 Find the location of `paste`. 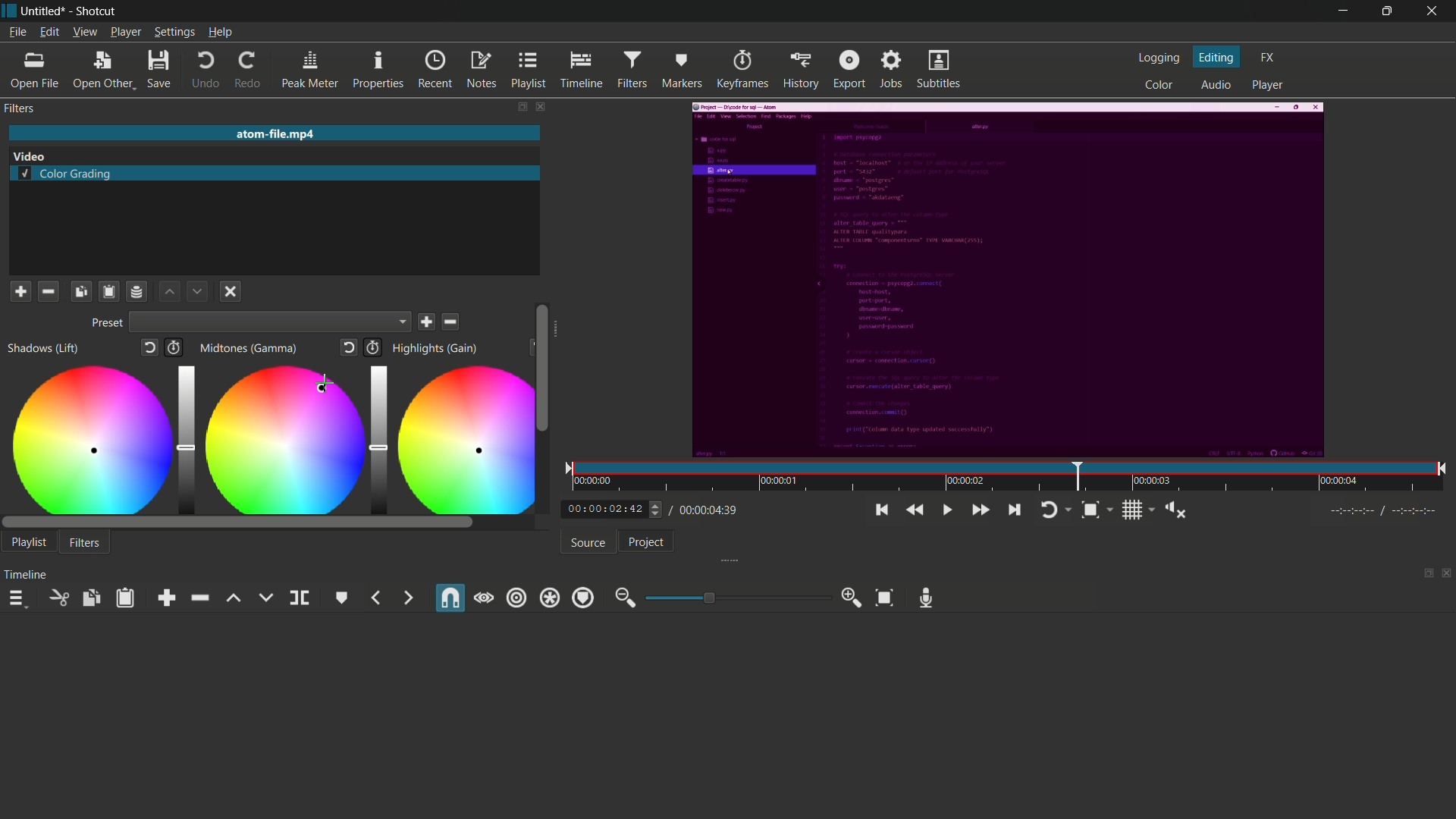

paste is located at coordinates (128, 598).